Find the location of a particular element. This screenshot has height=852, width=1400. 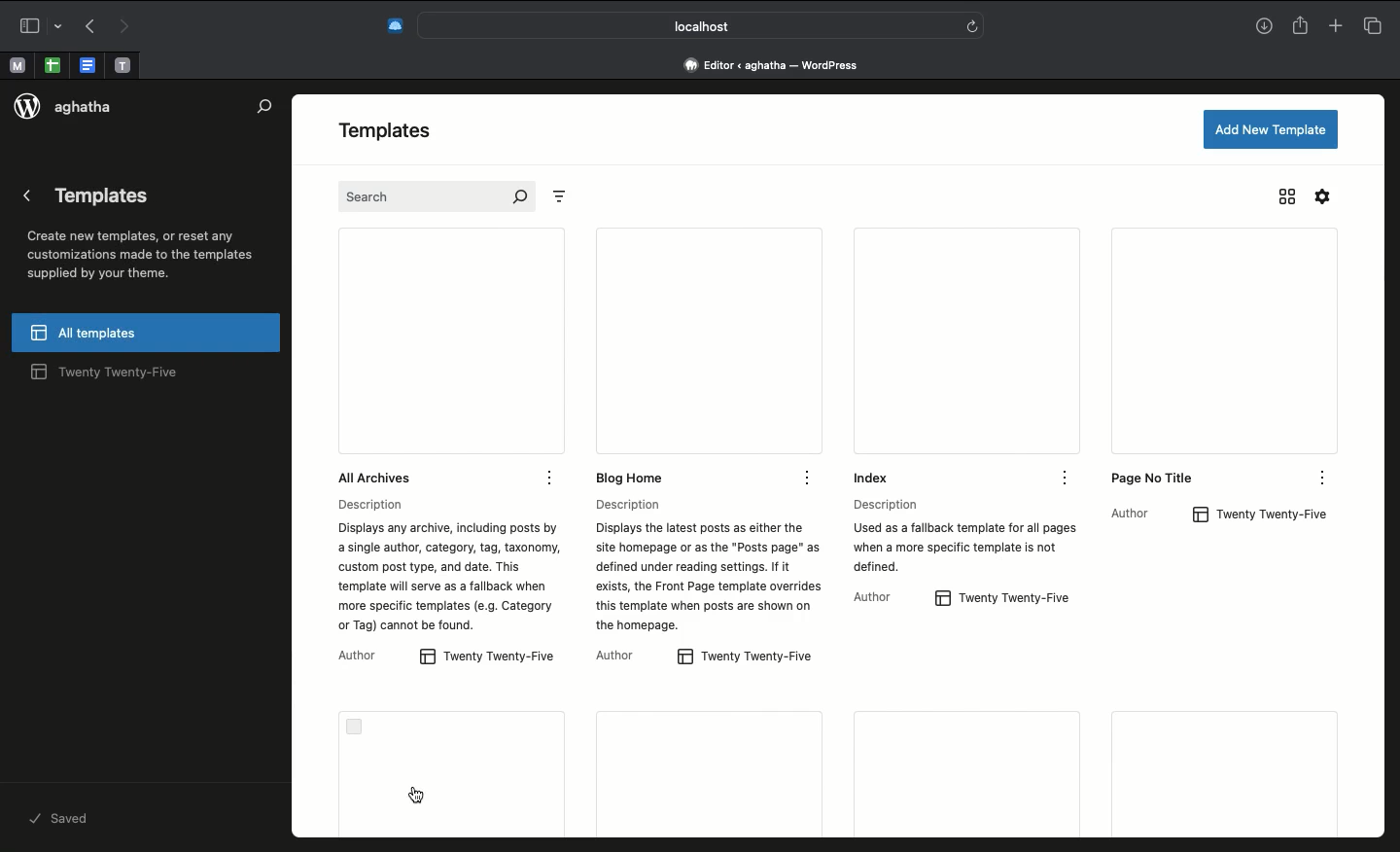

Search is located at coordinates (437, 195).